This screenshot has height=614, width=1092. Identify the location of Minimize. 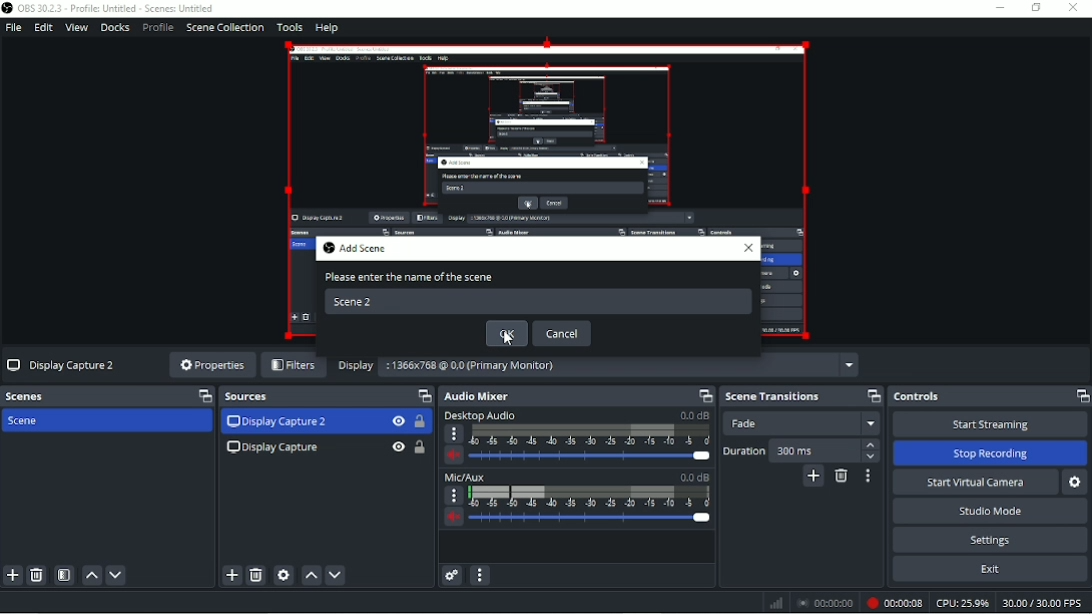
(999, 7).